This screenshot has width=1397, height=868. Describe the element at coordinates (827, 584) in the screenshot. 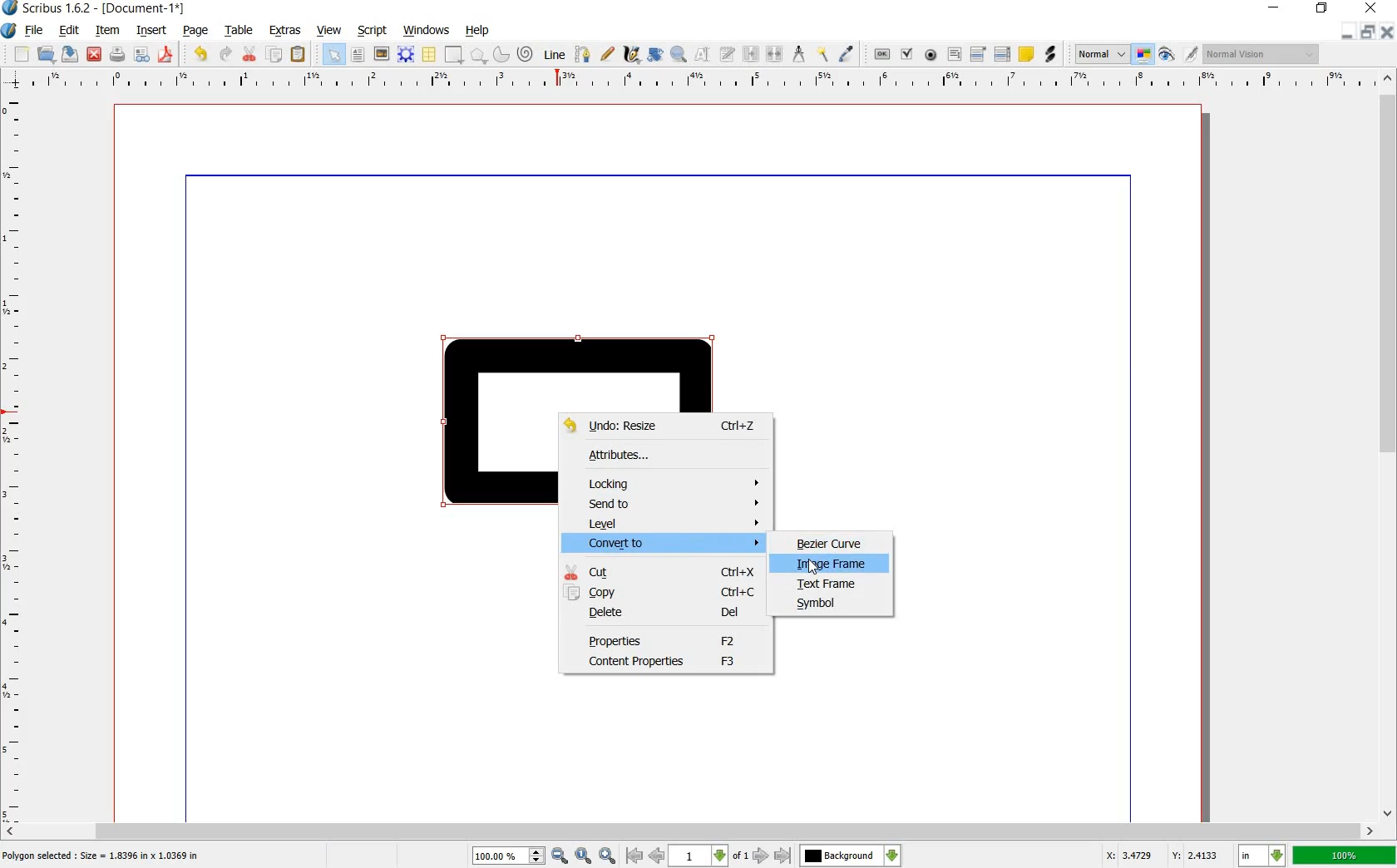

I see `TEXT FRAME` at that location.